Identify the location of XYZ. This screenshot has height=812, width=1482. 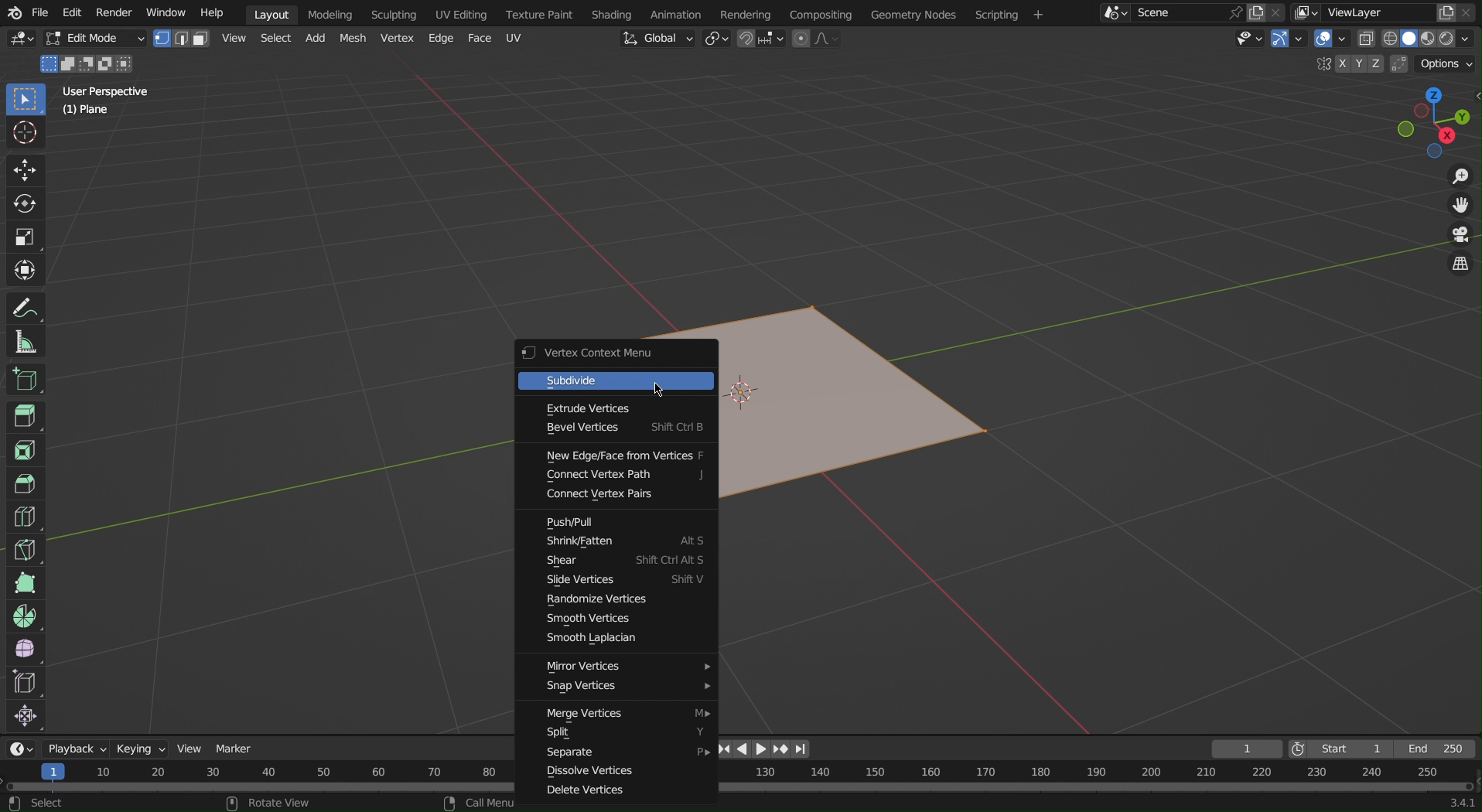
(1354, 63).